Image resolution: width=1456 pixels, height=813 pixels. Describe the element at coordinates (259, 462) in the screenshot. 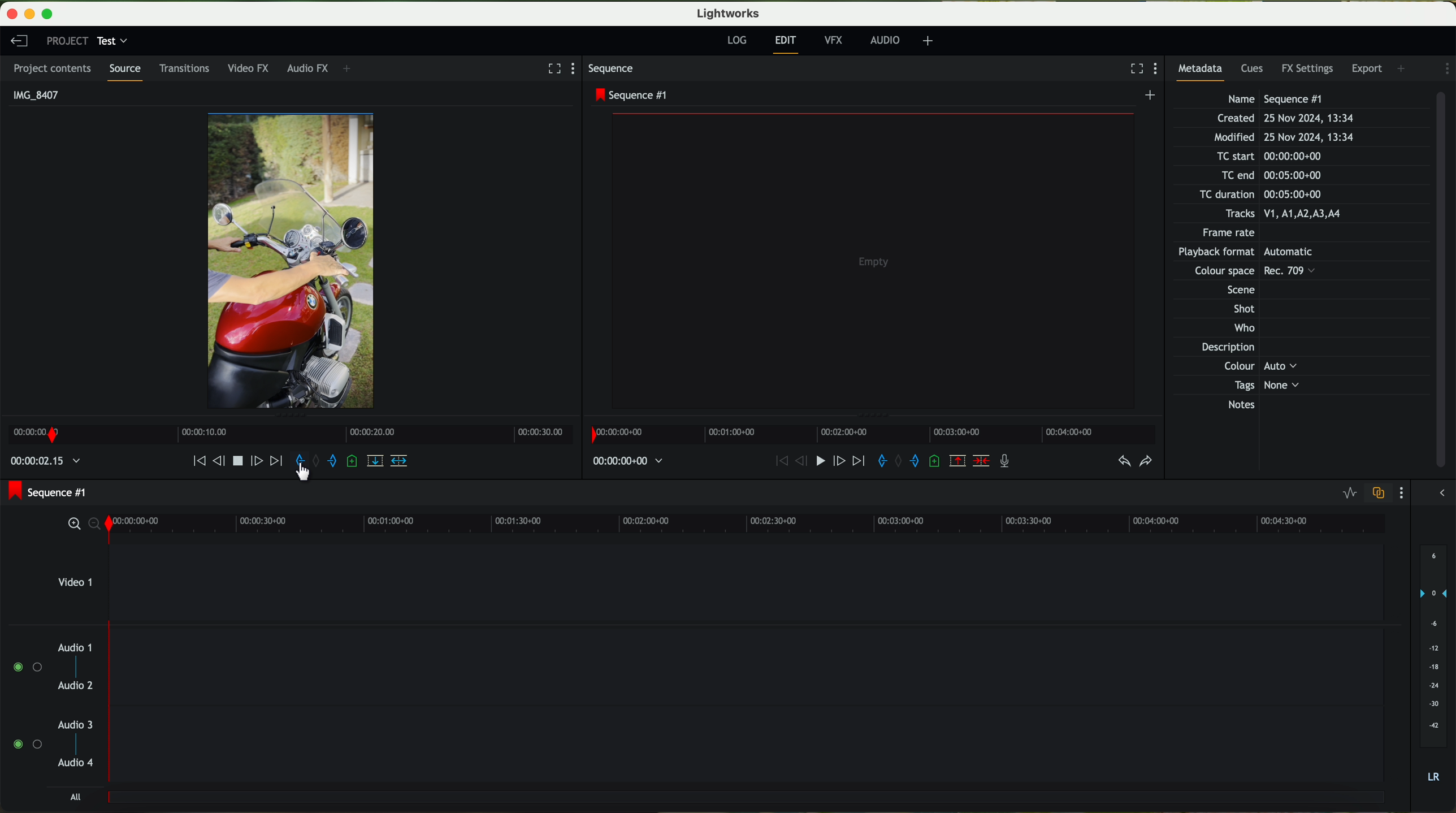

I see `nudge one frame forward` at that location.